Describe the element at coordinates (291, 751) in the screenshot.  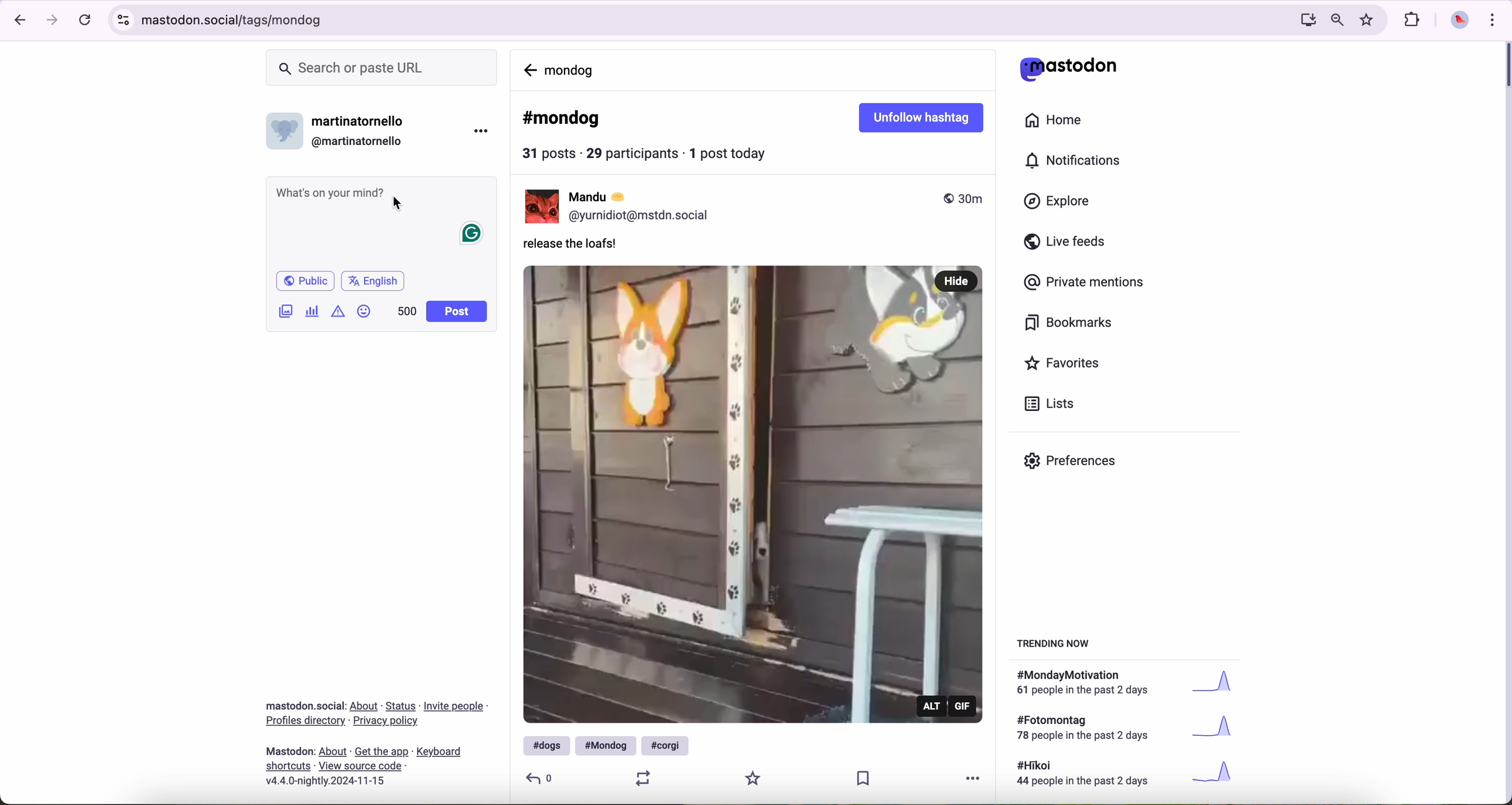
I see `mastodon` at that location.